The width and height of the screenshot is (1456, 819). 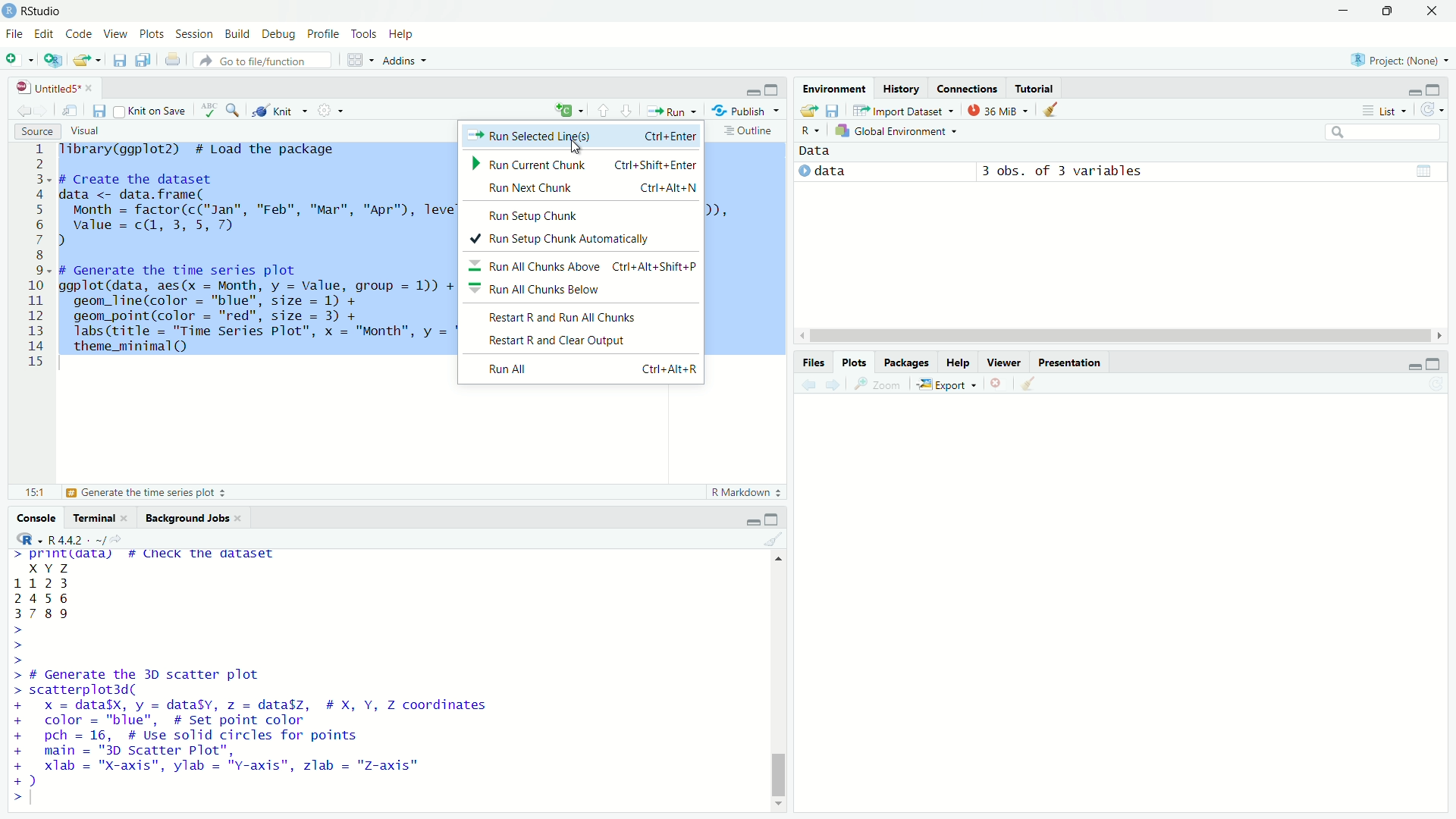 I want to click on settings, so click(x=334, y=114).